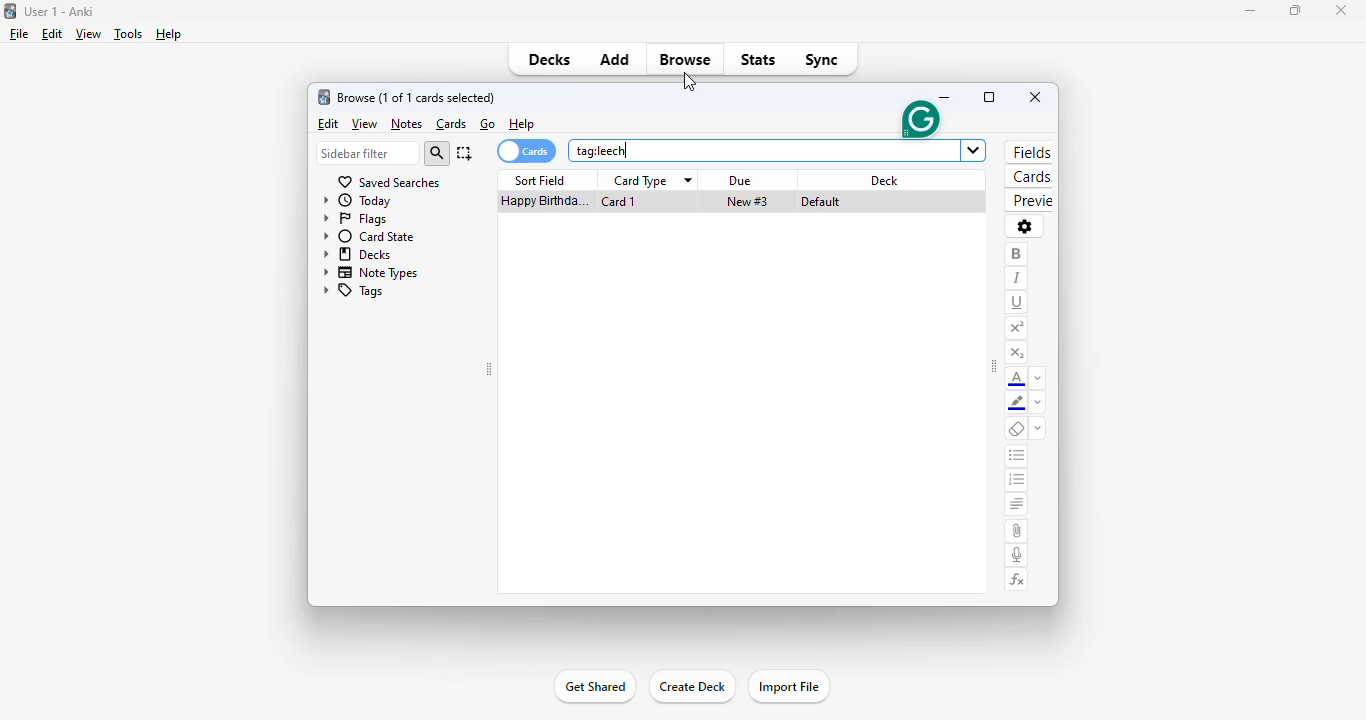 Image resolution: width=1366 pixels, height=720 pixels. What do you see at coordinates (1039, 377) in the screenshot?
I see `change color` at bounding box center [1039, 377].